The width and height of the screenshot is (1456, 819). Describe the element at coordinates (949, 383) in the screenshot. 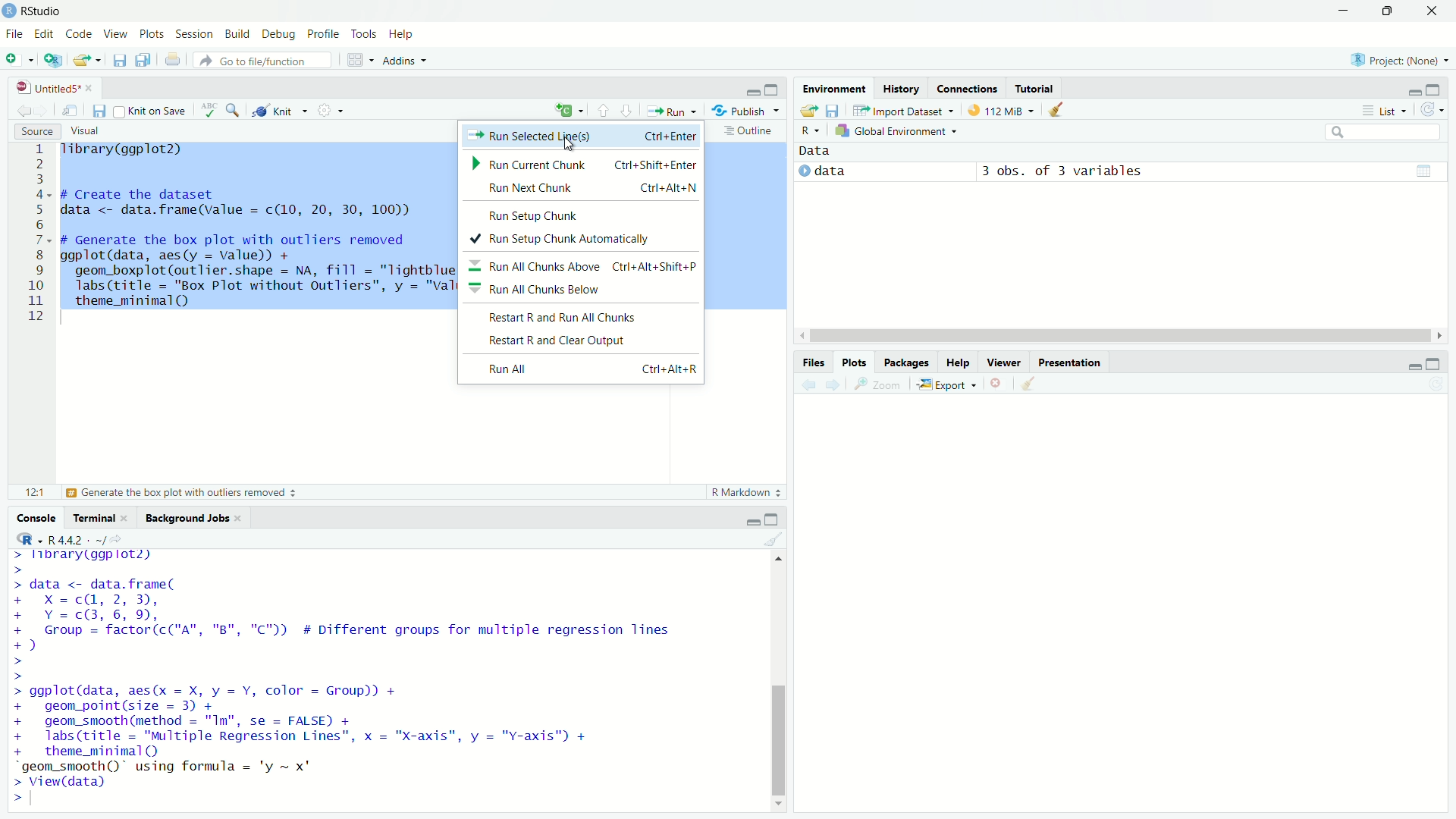

I see `i Export ~` at that location.